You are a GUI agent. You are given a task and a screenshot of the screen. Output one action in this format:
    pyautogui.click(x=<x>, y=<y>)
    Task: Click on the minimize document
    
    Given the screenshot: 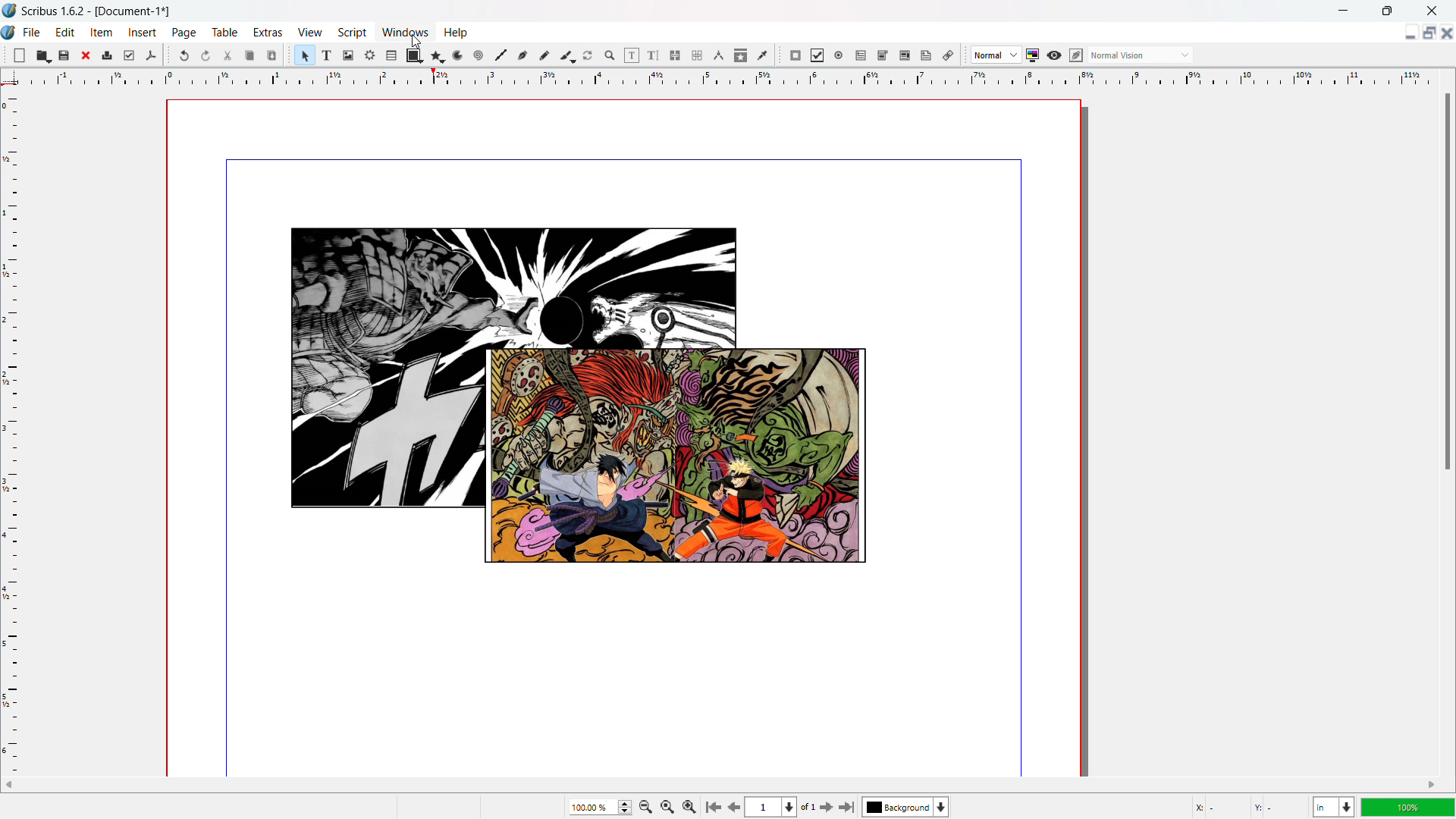 What is the action you would take?
    pyautogui.click(x=1407, y=33)
    